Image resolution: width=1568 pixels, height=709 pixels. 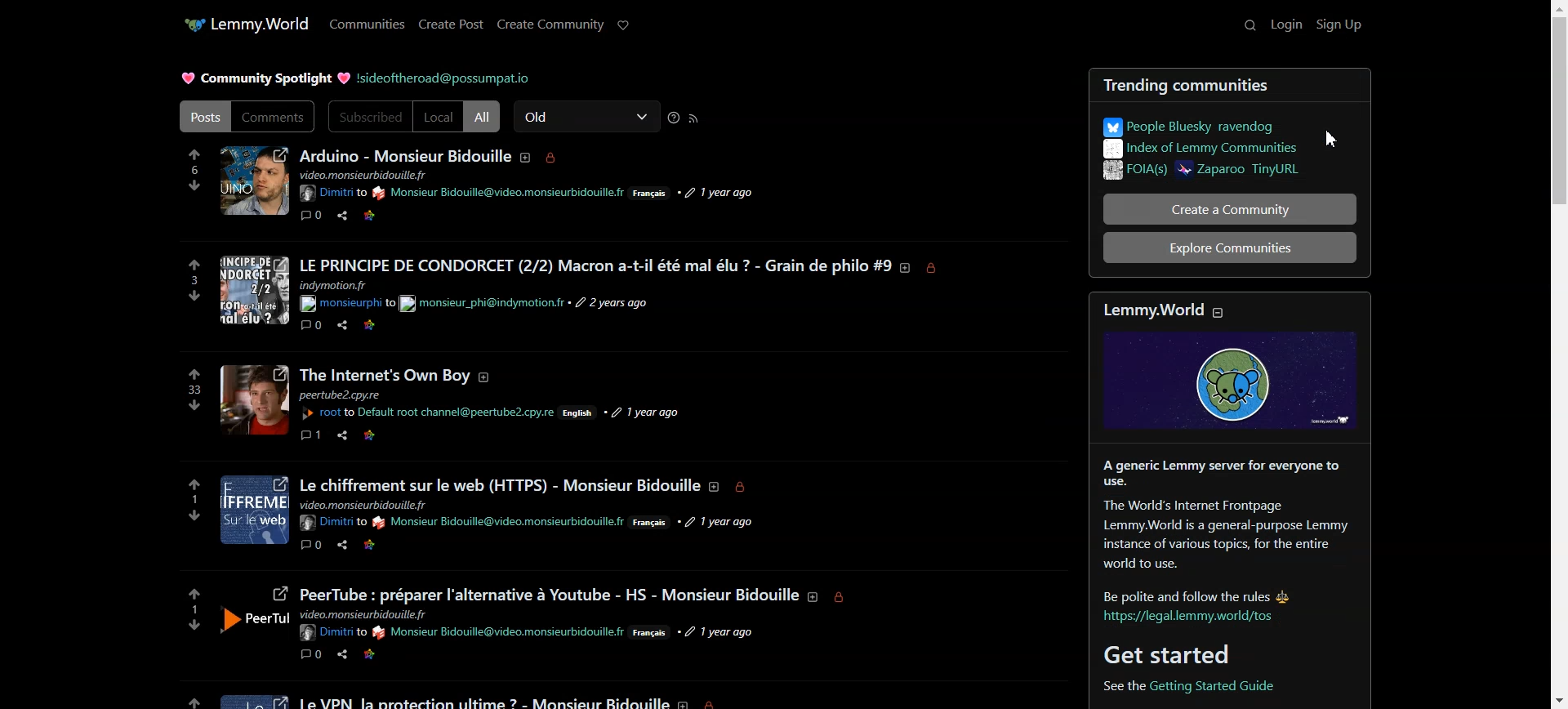 I want to click on 3, so click(x=184, y=280).